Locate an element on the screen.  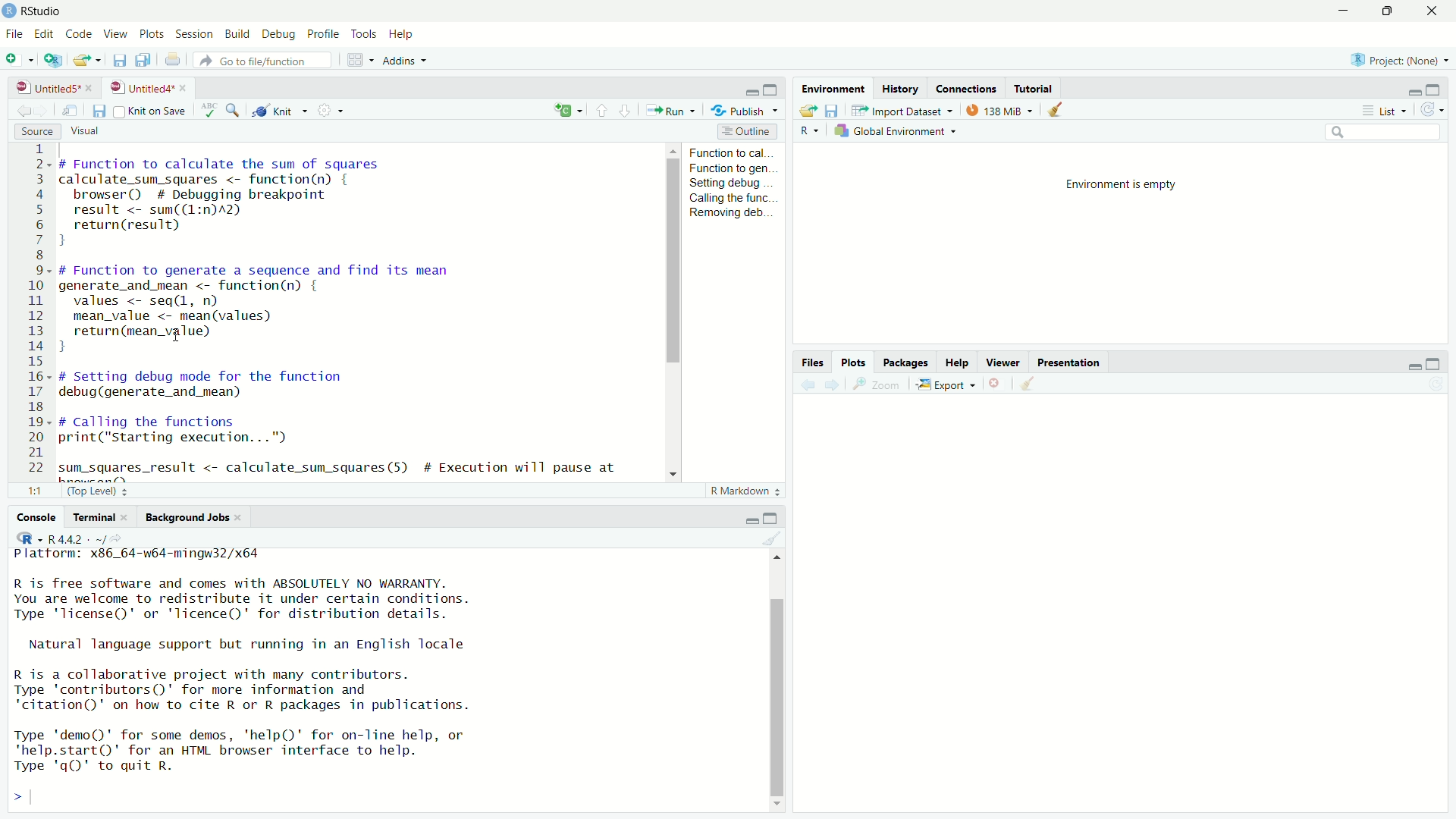
save current document is located at coordinates (118, 60).